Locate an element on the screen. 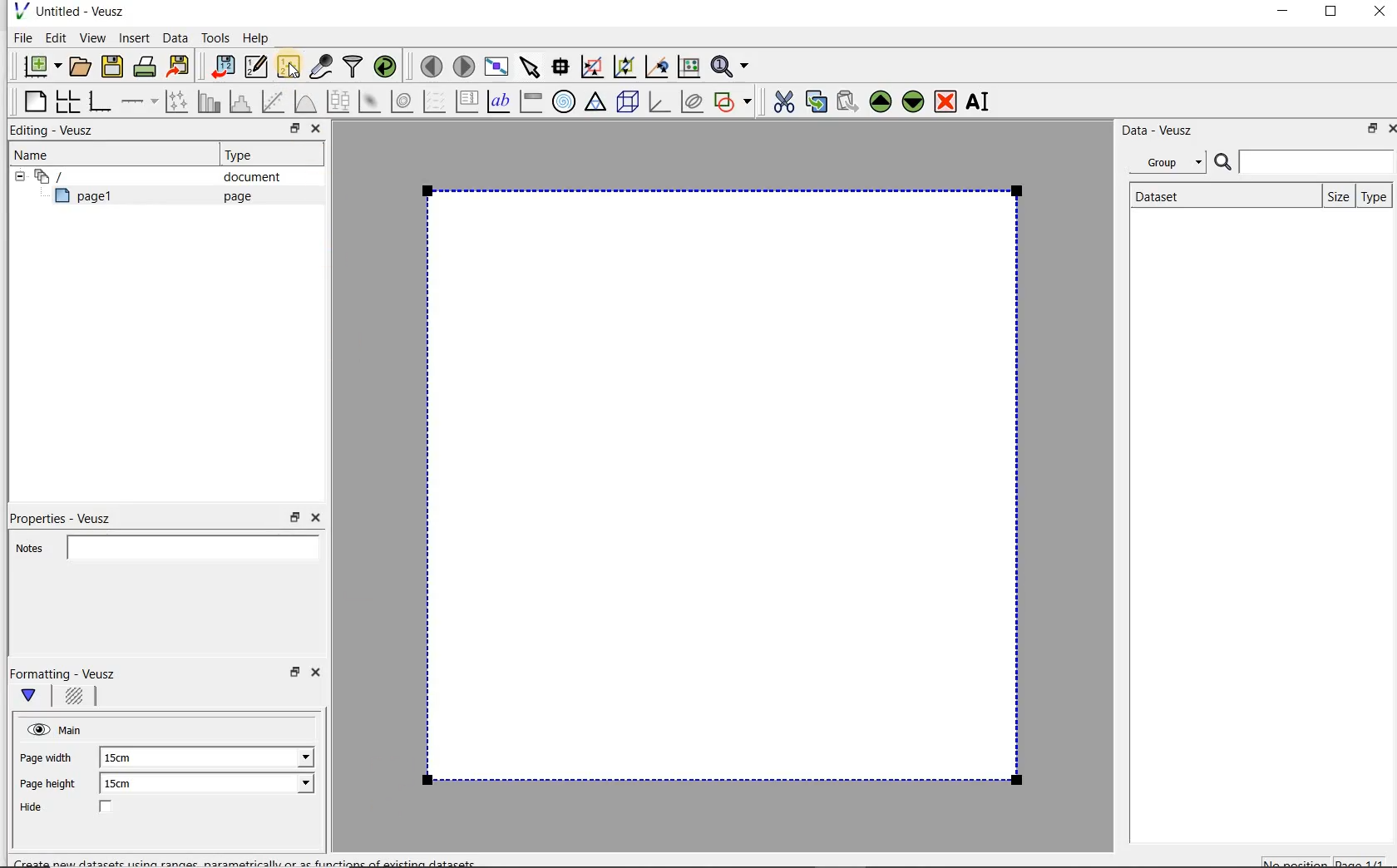 Image resolution: width=1397 pixels, height=868 pixels. document is located at coordinates (245, 177).